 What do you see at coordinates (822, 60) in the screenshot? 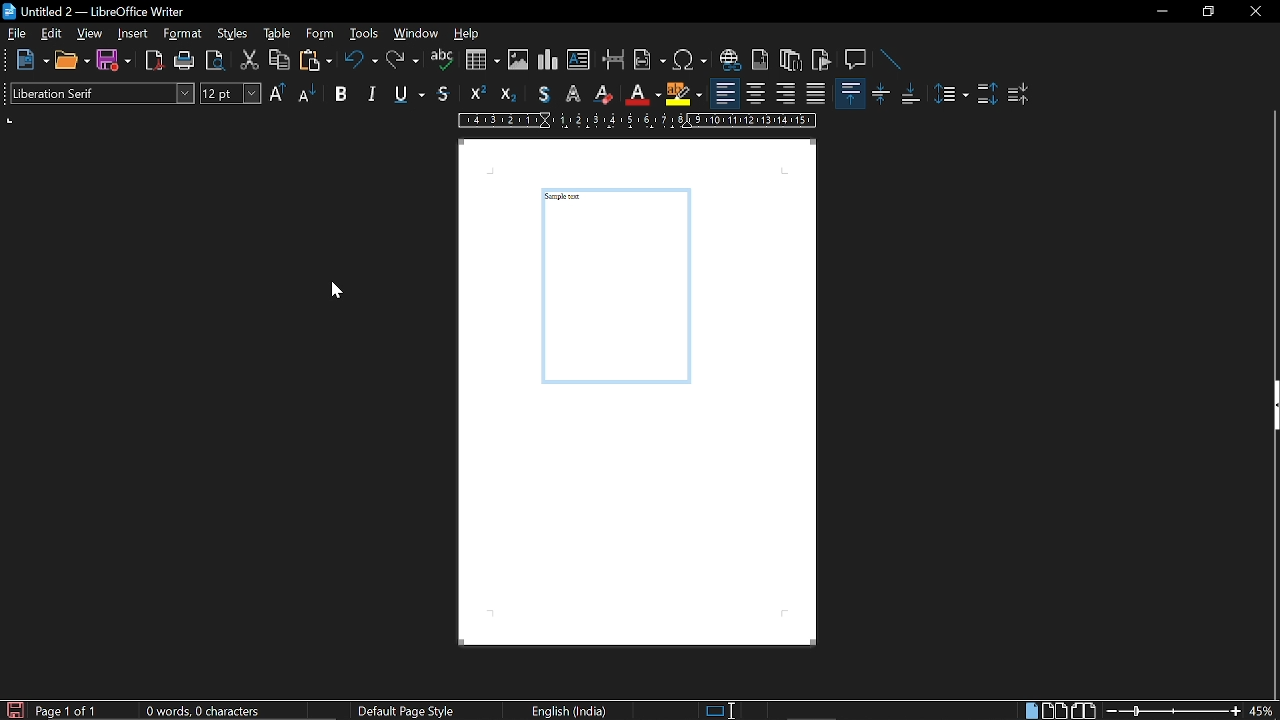
I see `insert bookmark` at bounding box center [822, 60].